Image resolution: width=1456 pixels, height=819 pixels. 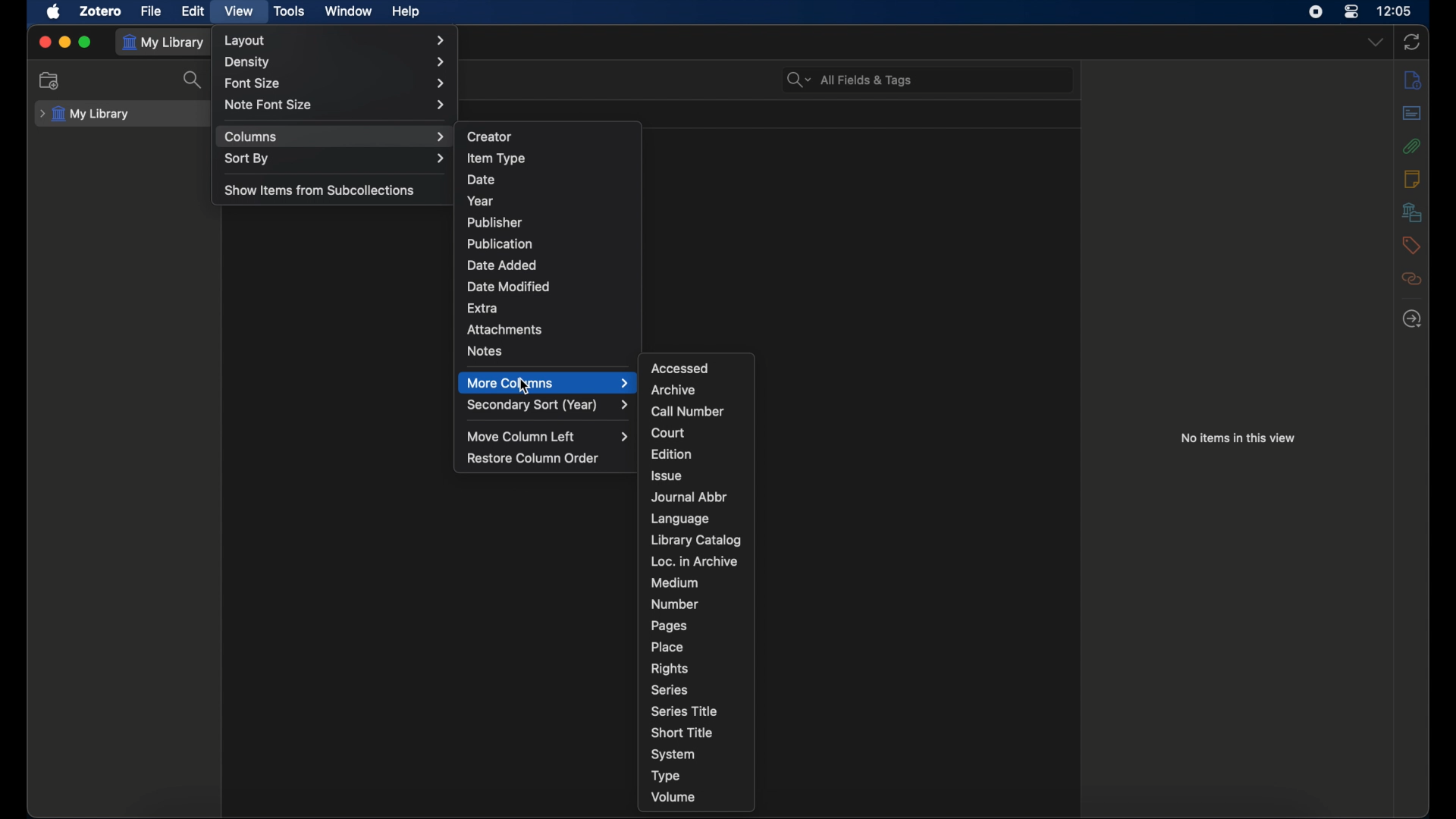 I want to click on library catalog, so click(x=695, y=539).